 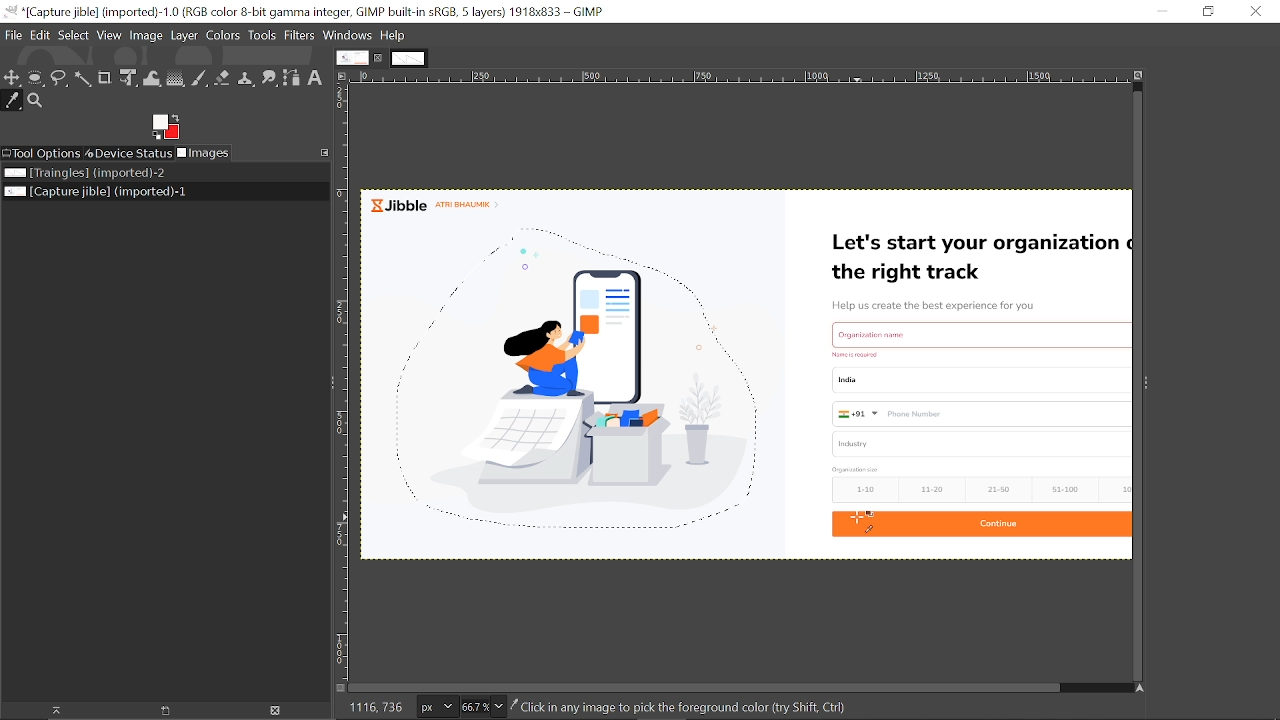 What do you see at coordinates (342, 384) in the screenshot?
I see `Vertical label` at bounding box center [342, 384].